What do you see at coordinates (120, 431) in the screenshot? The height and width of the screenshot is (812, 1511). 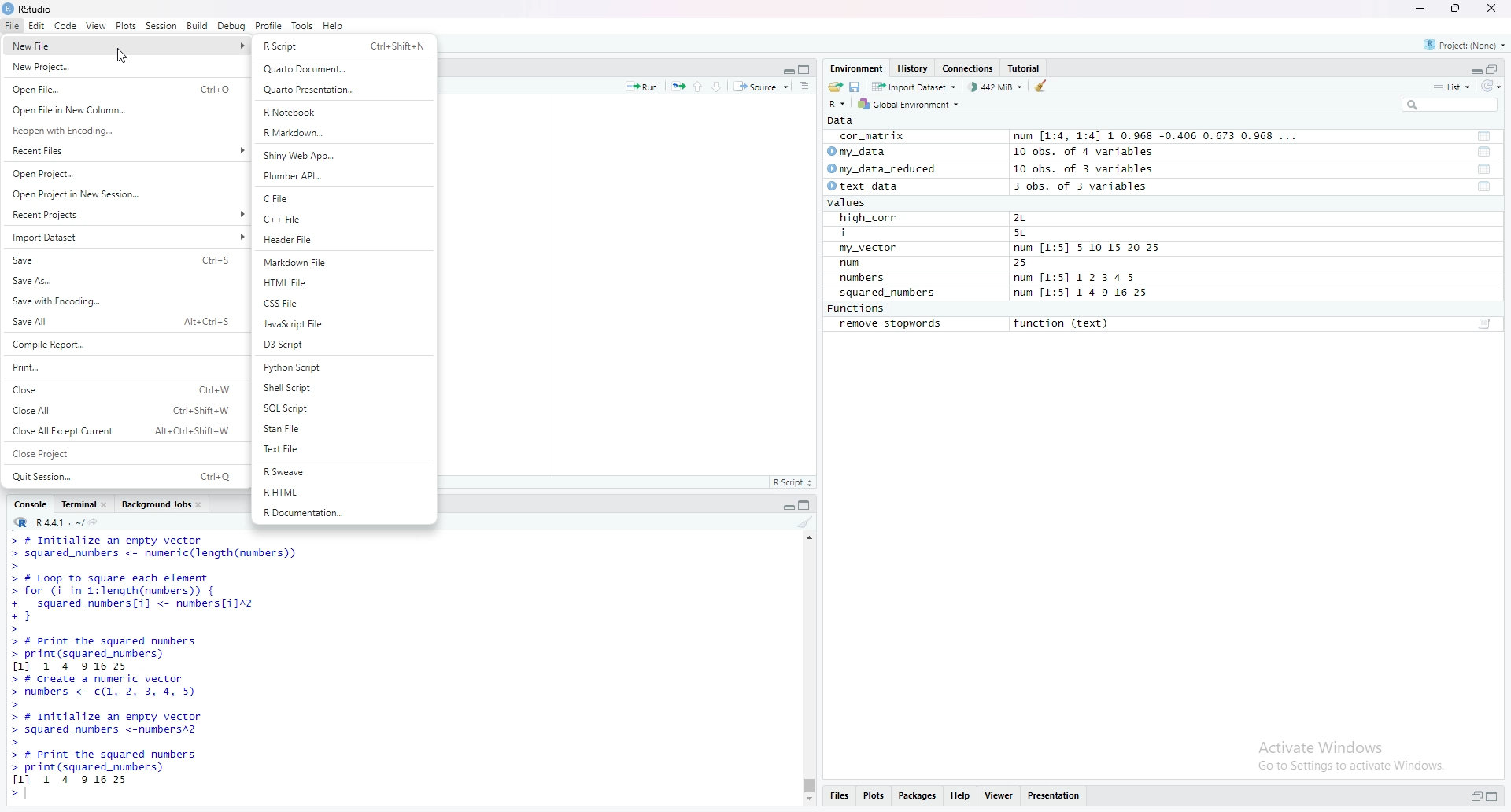 I see `Close All Except Current. Alt Cris Shift«W.` at bounding box center [120, 431].